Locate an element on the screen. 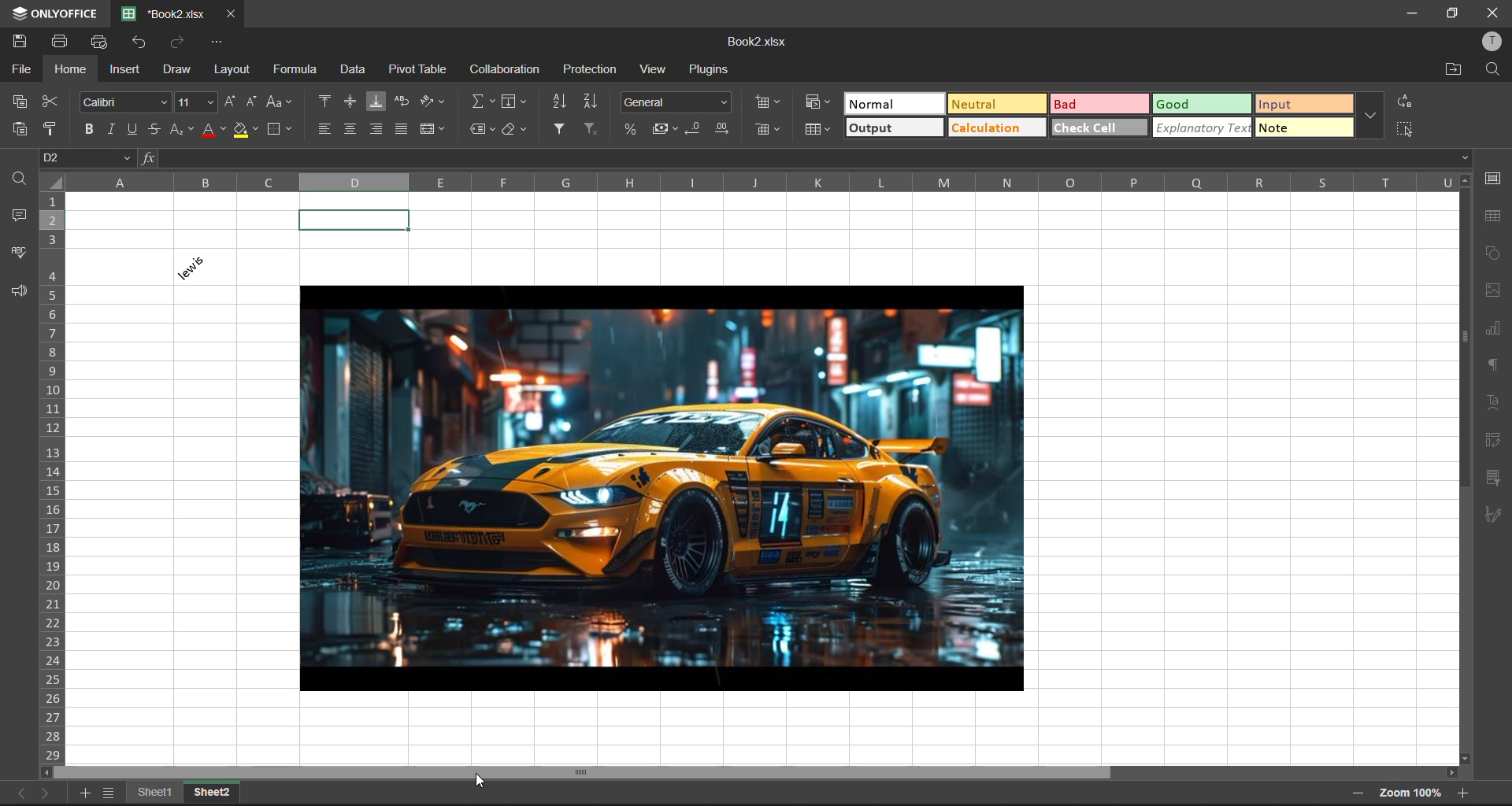 The width and height of the screenshot is (1512, 806). more options is located at coordinates (1370, 116).